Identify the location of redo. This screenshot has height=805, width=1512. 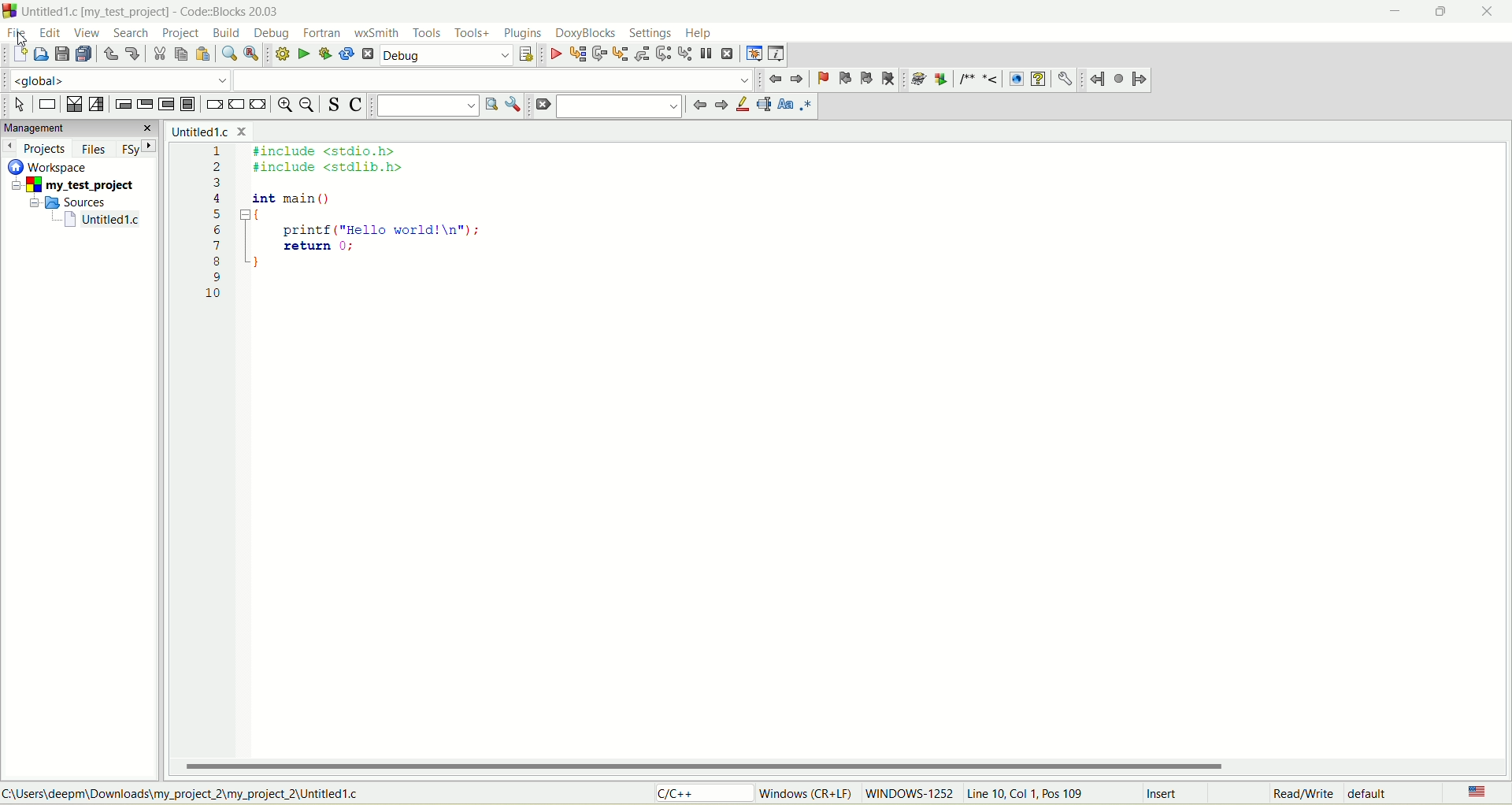
(132, 52).